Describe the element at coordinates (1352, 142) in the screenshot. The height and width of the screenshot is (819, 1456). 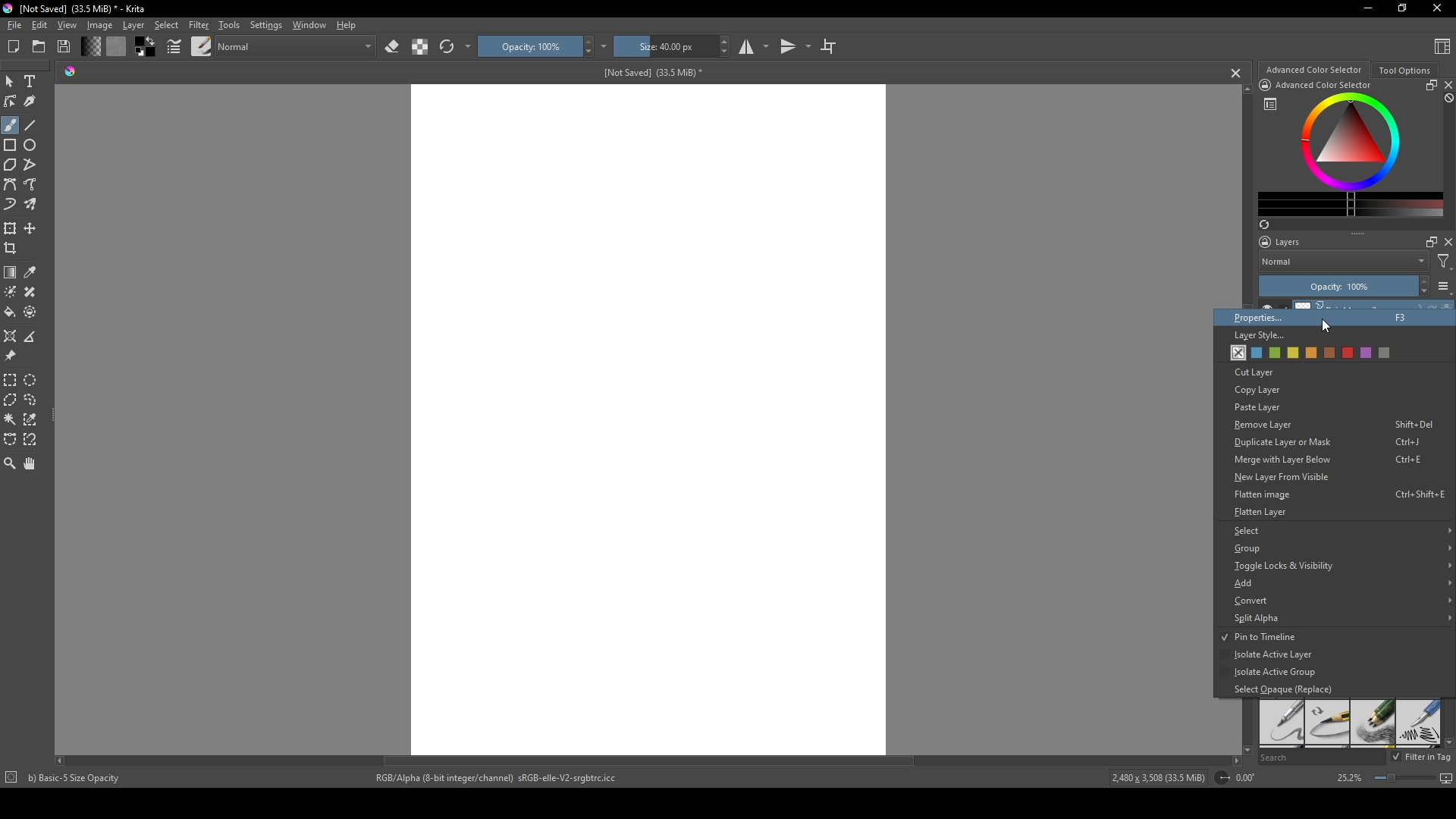
I see `colors display` at that location.